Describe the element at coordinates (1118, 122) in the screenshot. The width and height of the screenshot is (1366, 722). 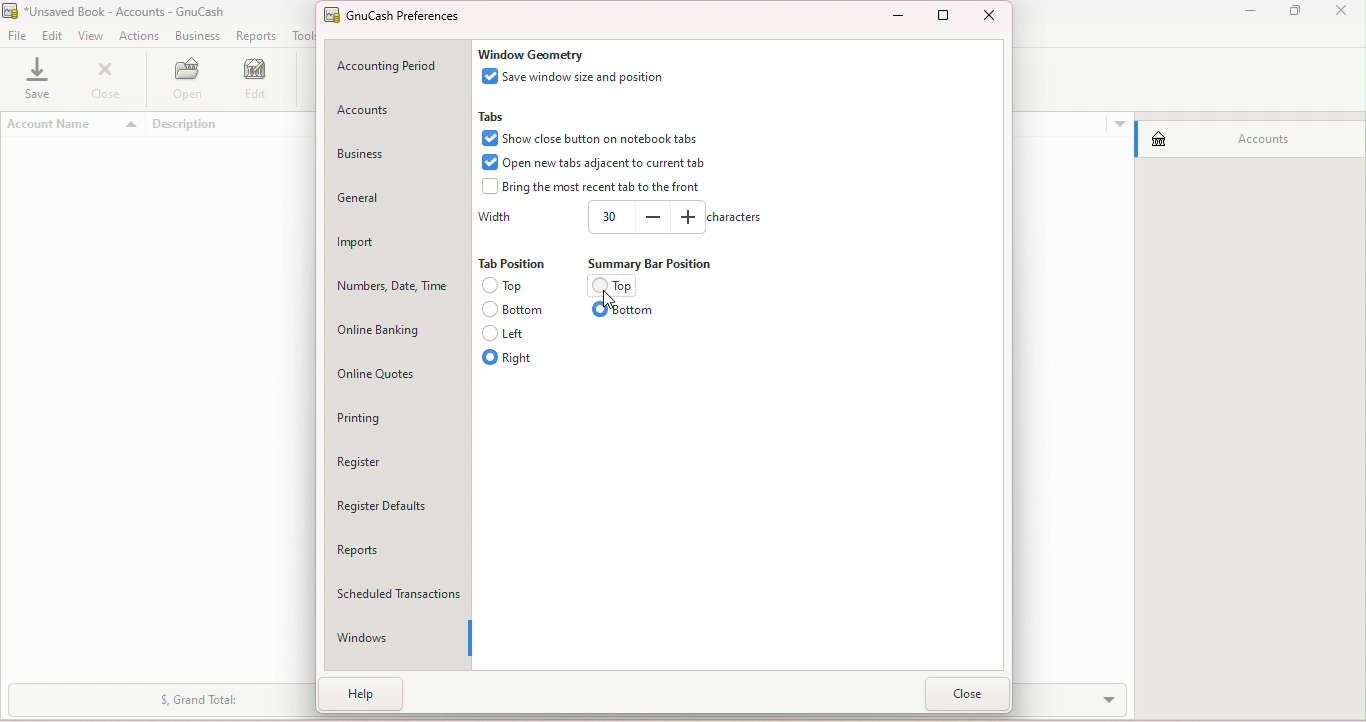
I see `More options` at that location.